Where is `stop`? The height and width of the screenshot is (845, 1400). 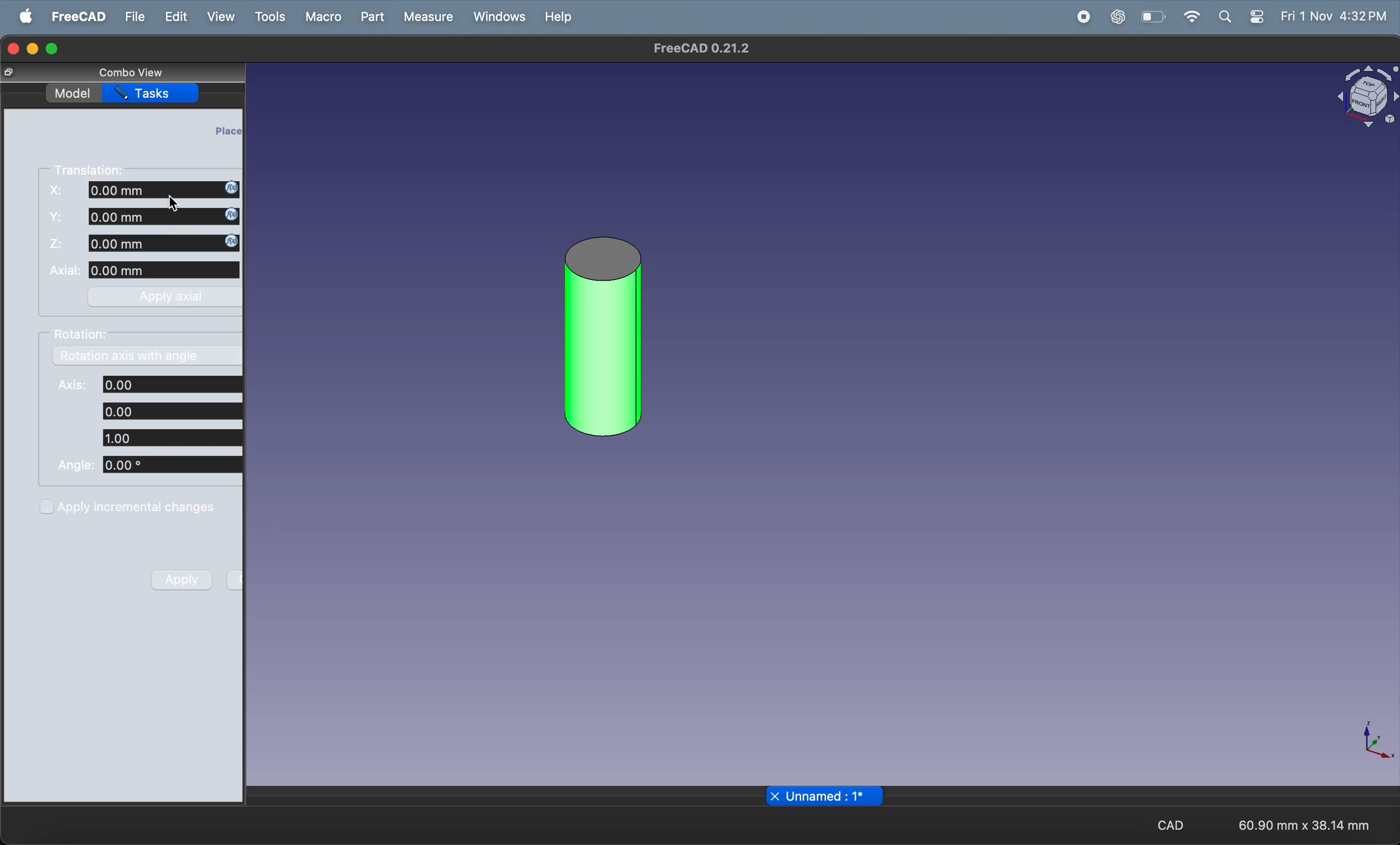
stop is located at coordinates (1039, 17).